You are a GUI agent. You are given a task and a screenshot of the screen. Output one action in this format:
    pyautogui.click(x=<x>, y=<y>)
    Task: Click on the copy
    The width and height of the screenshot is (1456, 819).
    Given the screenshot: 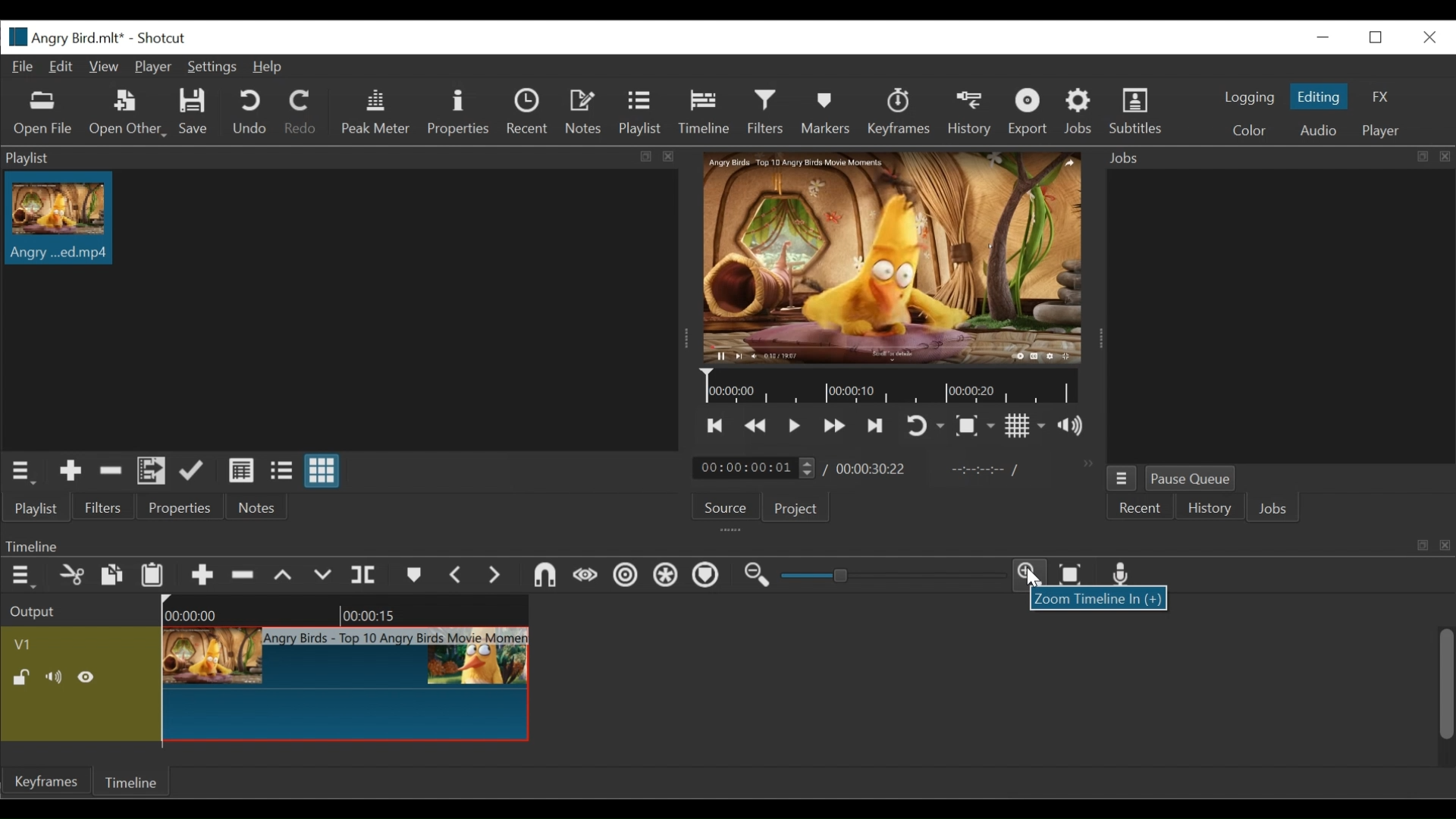 What is the action you would take?
    pyautogui.click(x=111, y=576)
    